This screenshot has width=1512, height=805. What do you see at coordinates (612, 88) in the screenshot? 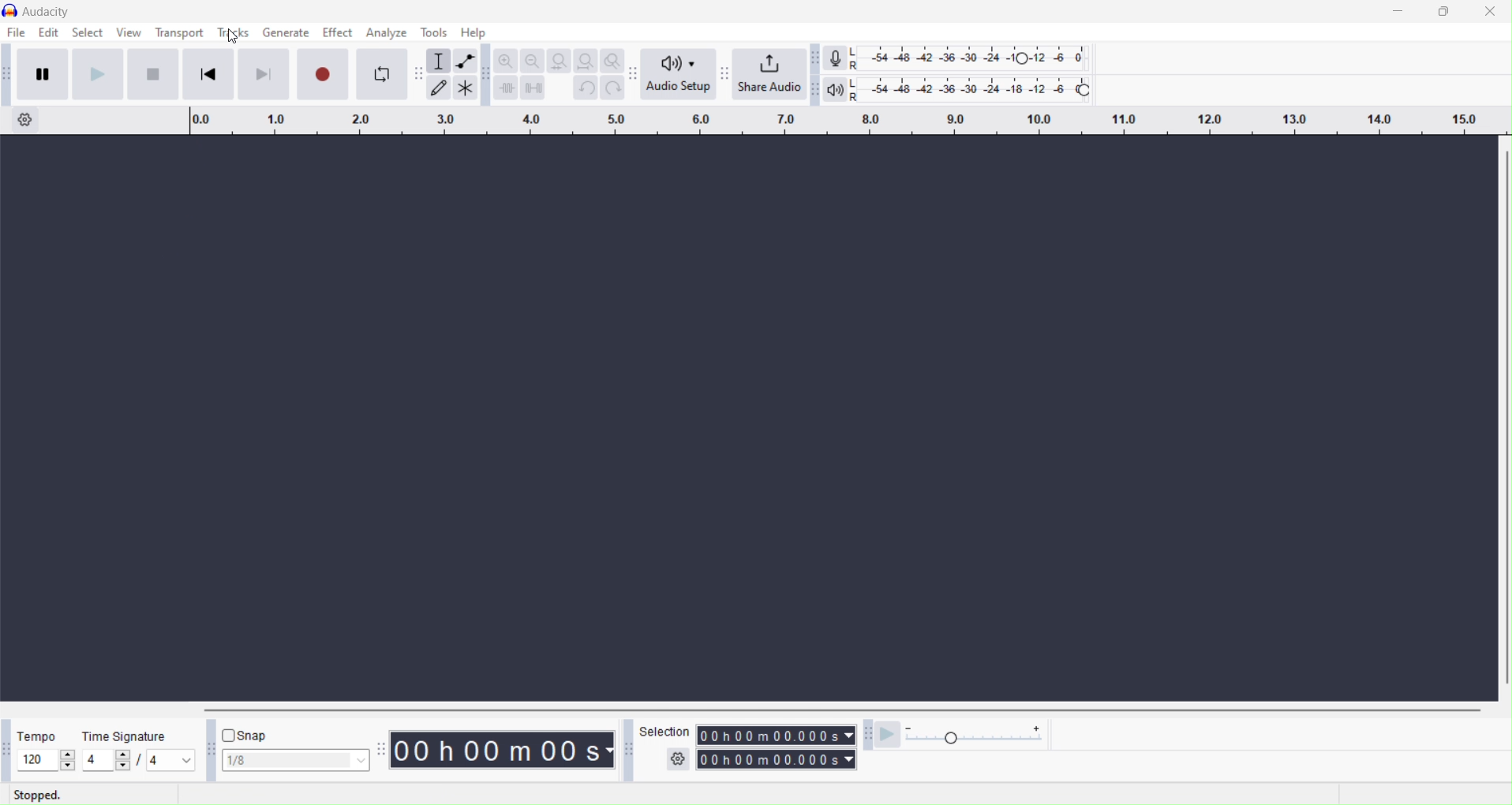
I see `Redo` at bounding box center [612, 88].